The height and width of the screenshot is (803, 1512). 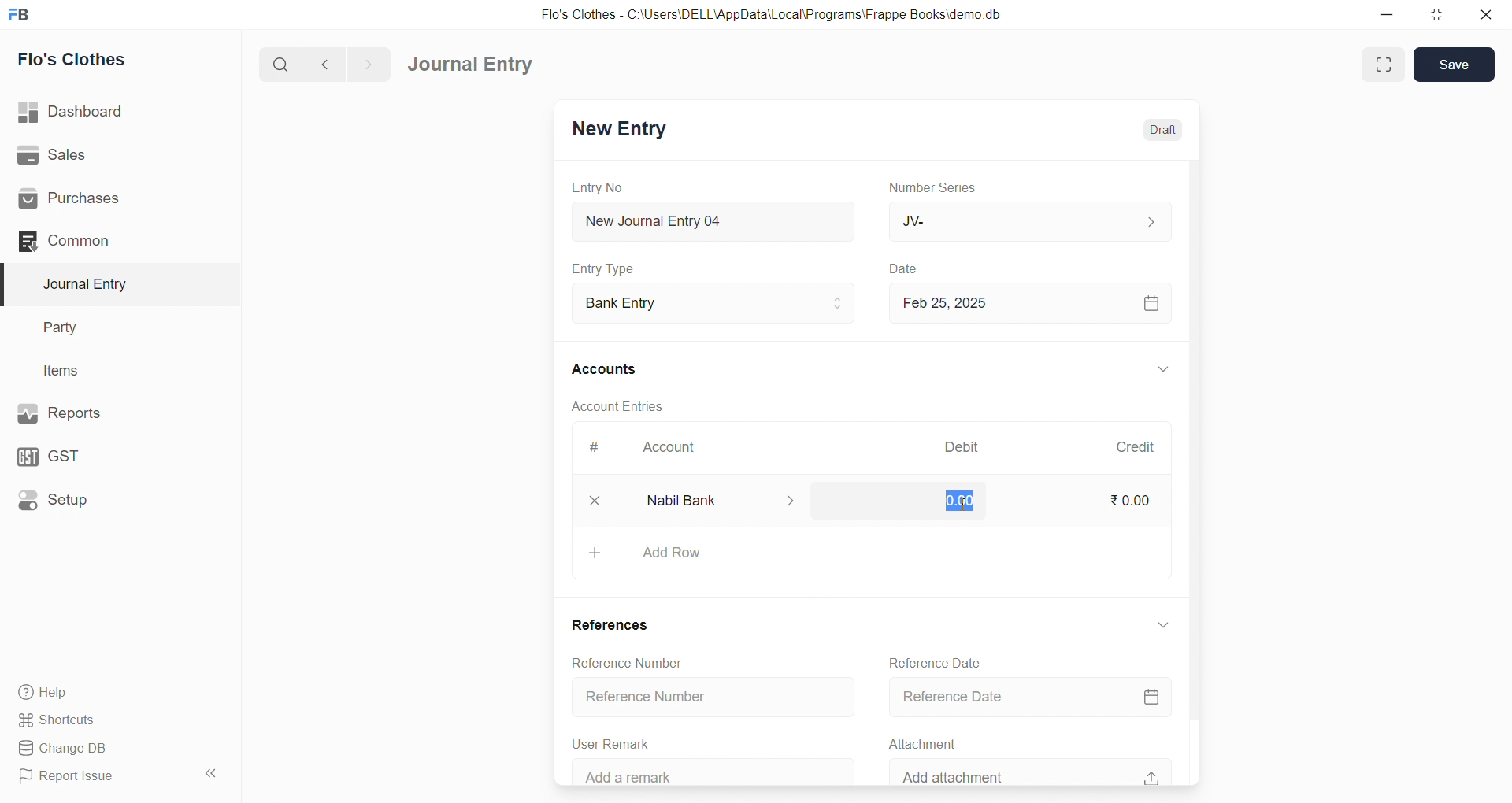 I want to click on resize, so click(x=1432, y=14).